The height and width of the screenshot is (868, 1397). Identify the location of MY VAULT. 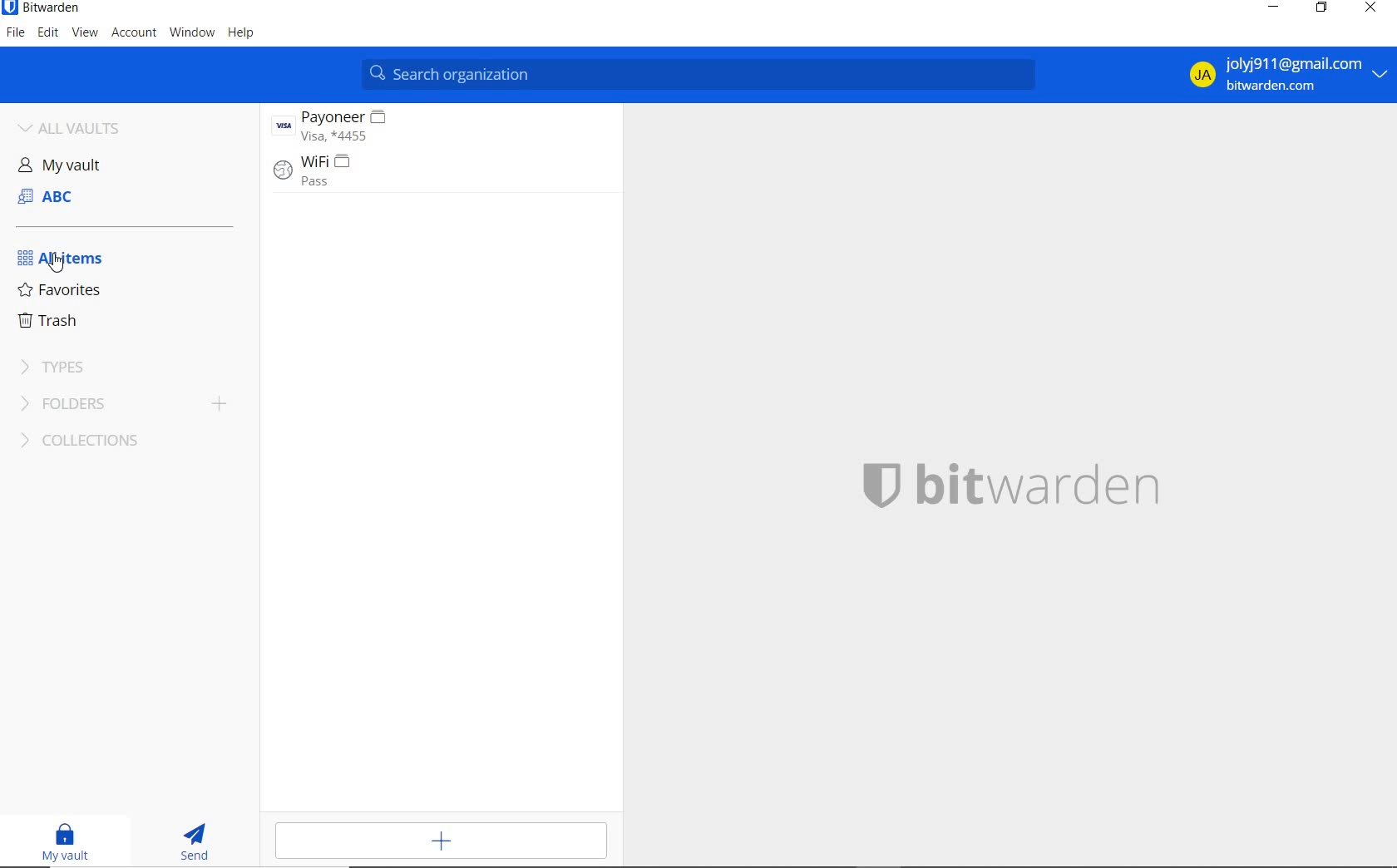
(68, 842).